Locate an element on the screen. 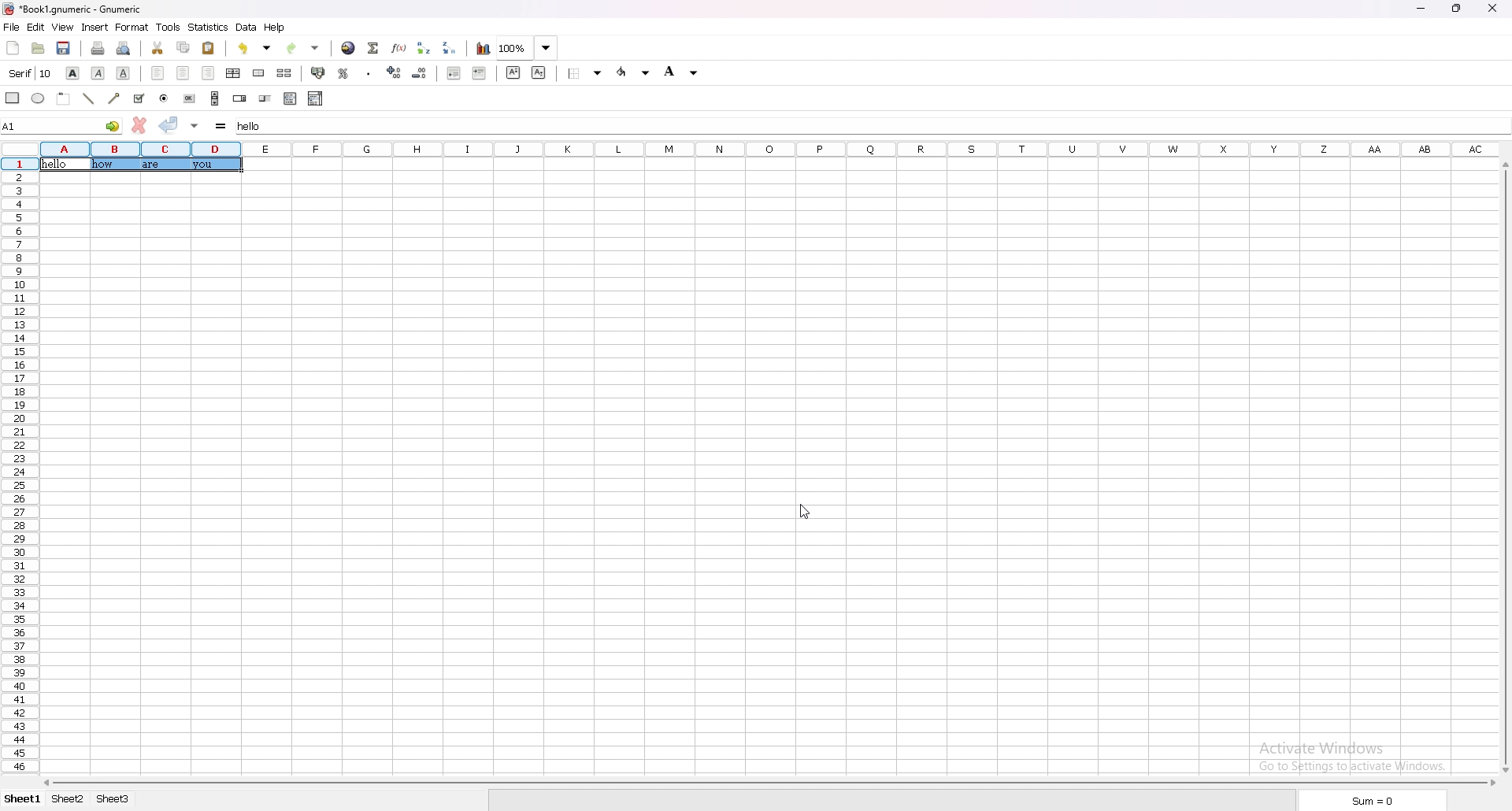 The height and width of the screenshot is (811, 1512). sort ascending is located at coordinates (425, 46).